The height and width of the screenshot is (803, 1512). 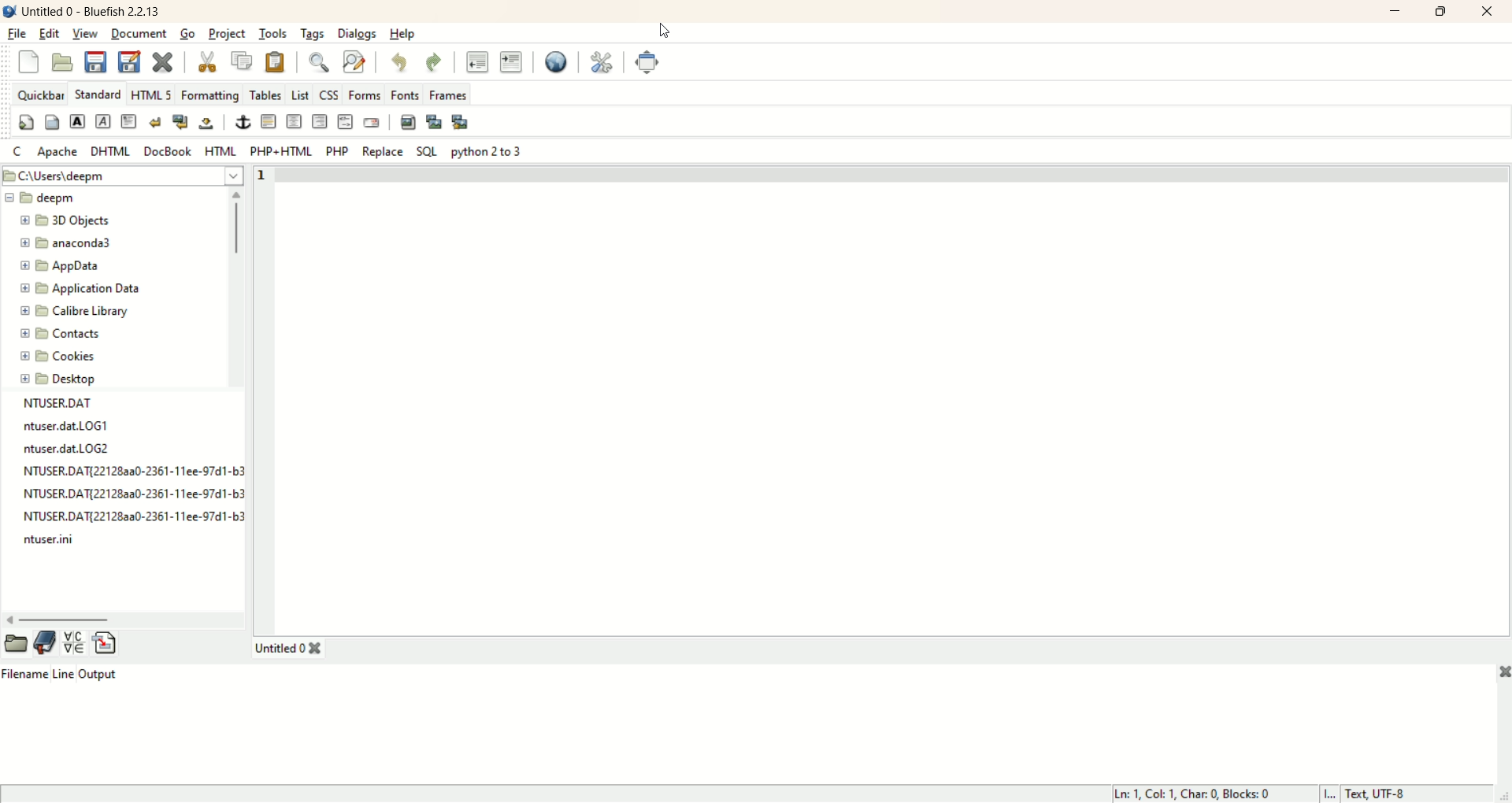 I want to click on indent, so click(x=511, y=60).